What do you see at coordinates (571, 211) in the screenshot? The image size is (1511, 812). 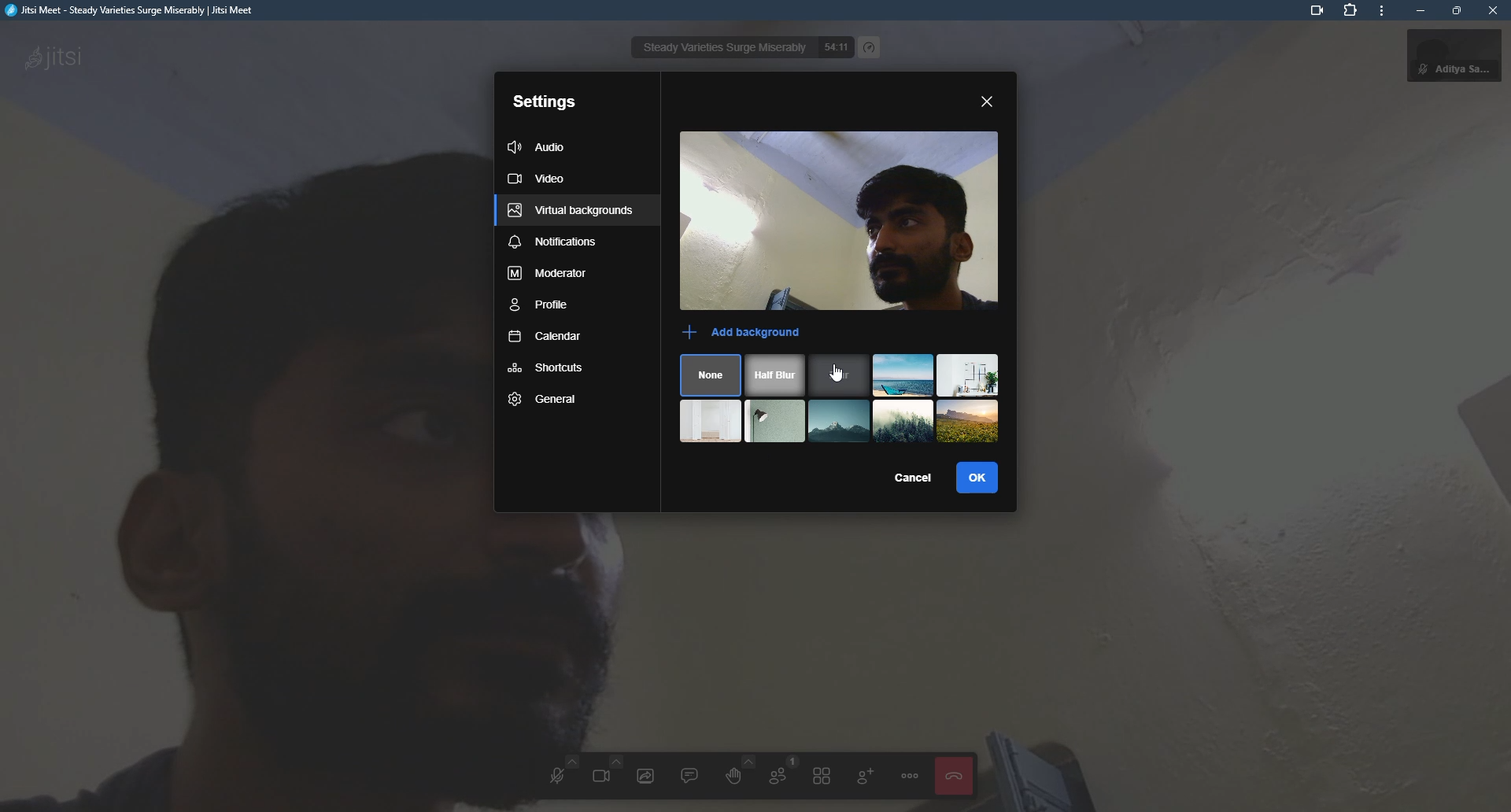 I see `virtual backgrounds` at bounding box center [571, 211].